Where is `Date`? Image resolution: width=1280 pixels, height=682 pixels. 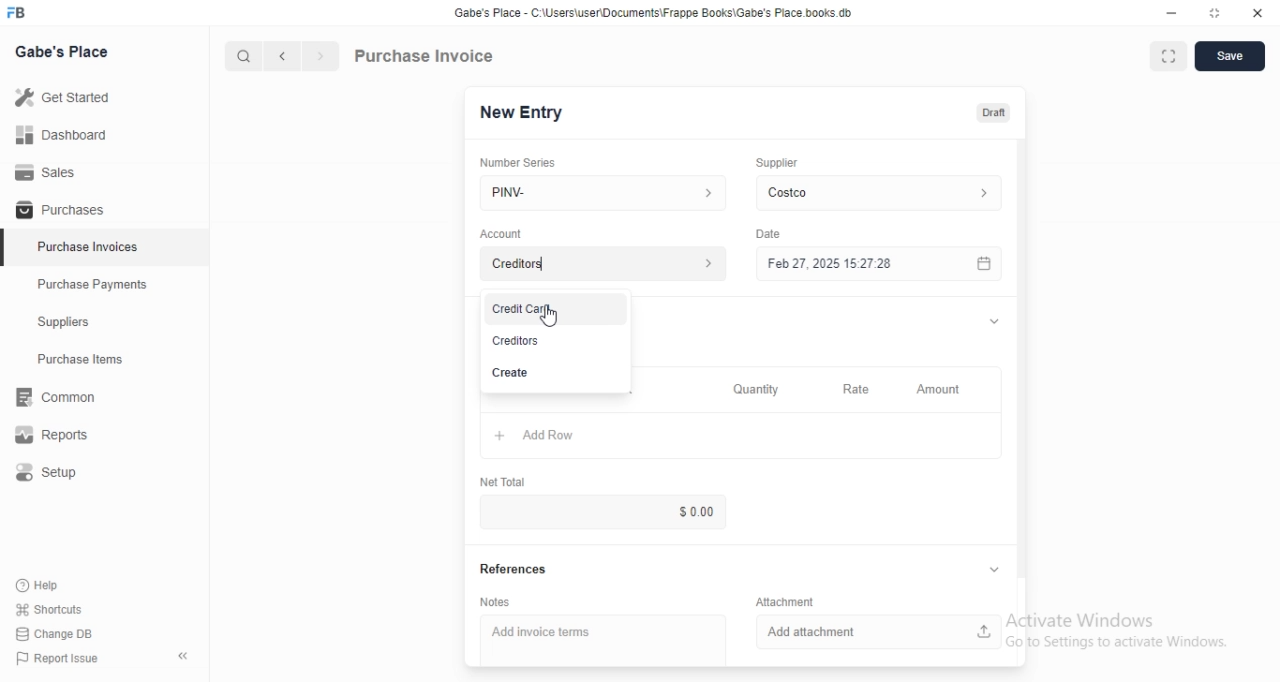 Date is located at coordinates (768, 234).